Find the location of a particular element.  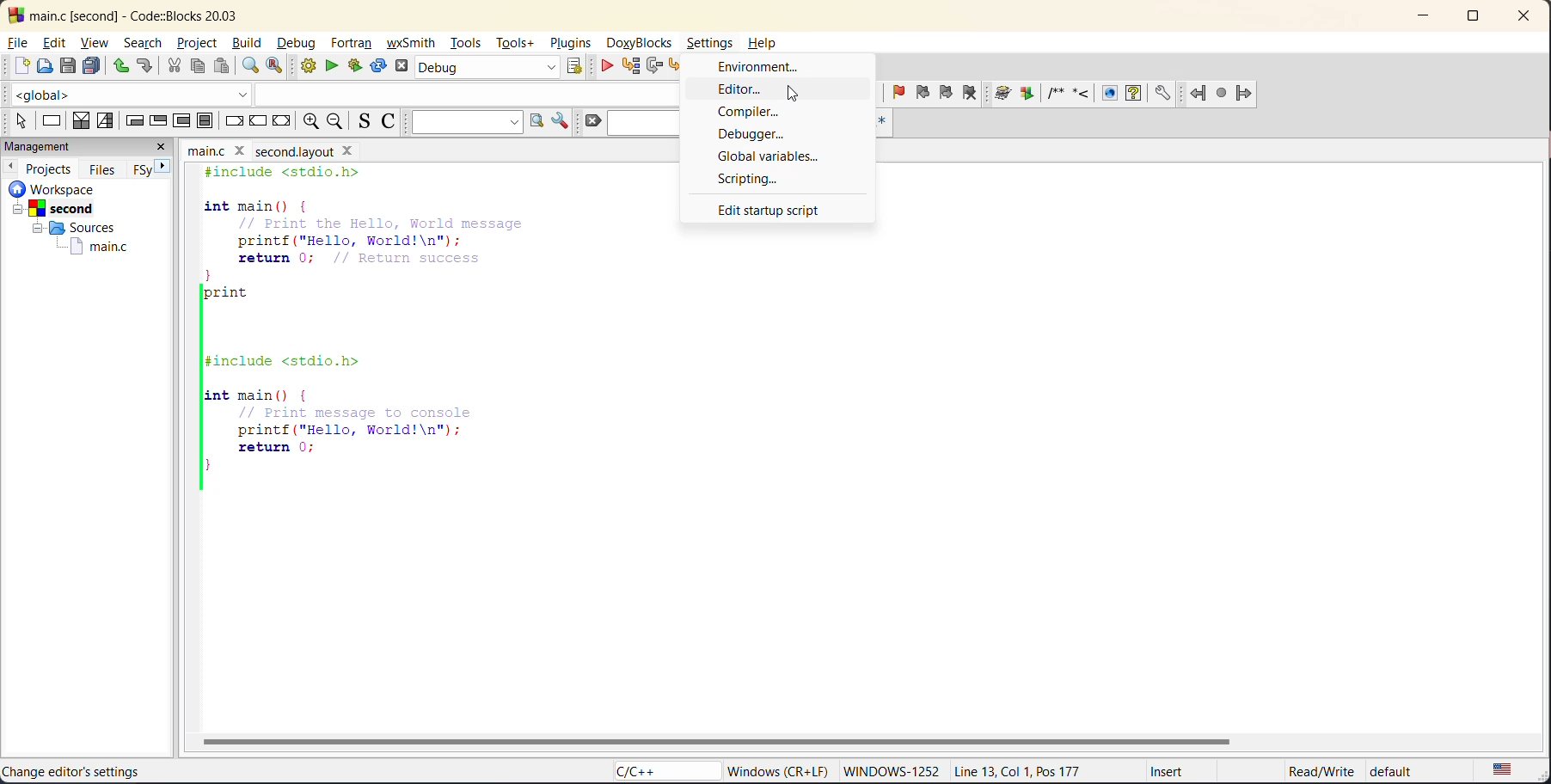

replace is located at coordinates (280, 68).